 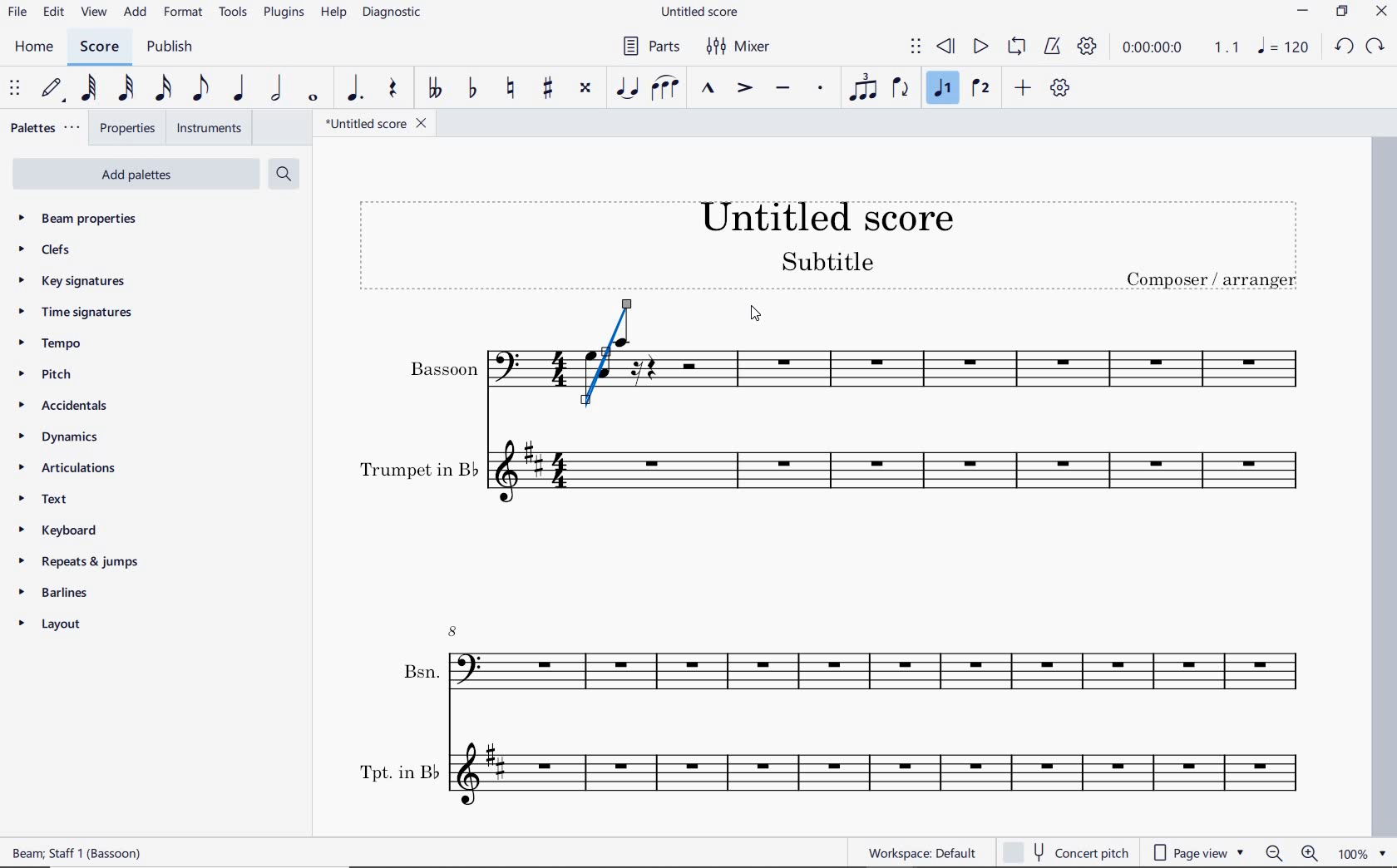 What do you see at coordinates (847, 777) in the screenshot?
I see `Tpt. in B` at bounding box center [847, 777].